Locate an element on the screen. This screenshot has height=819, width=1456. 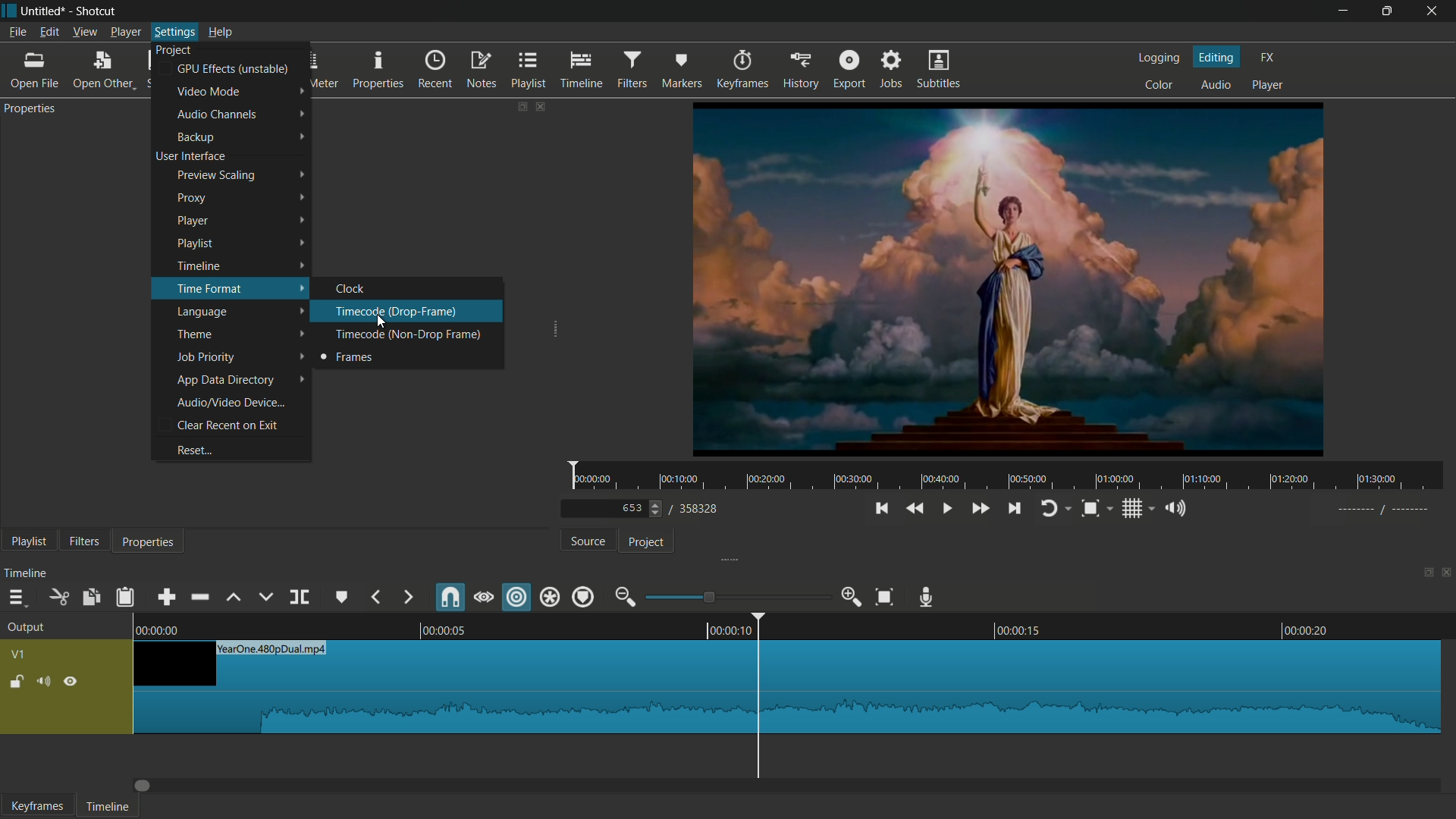
timeline is located at coordinates (582, 69).